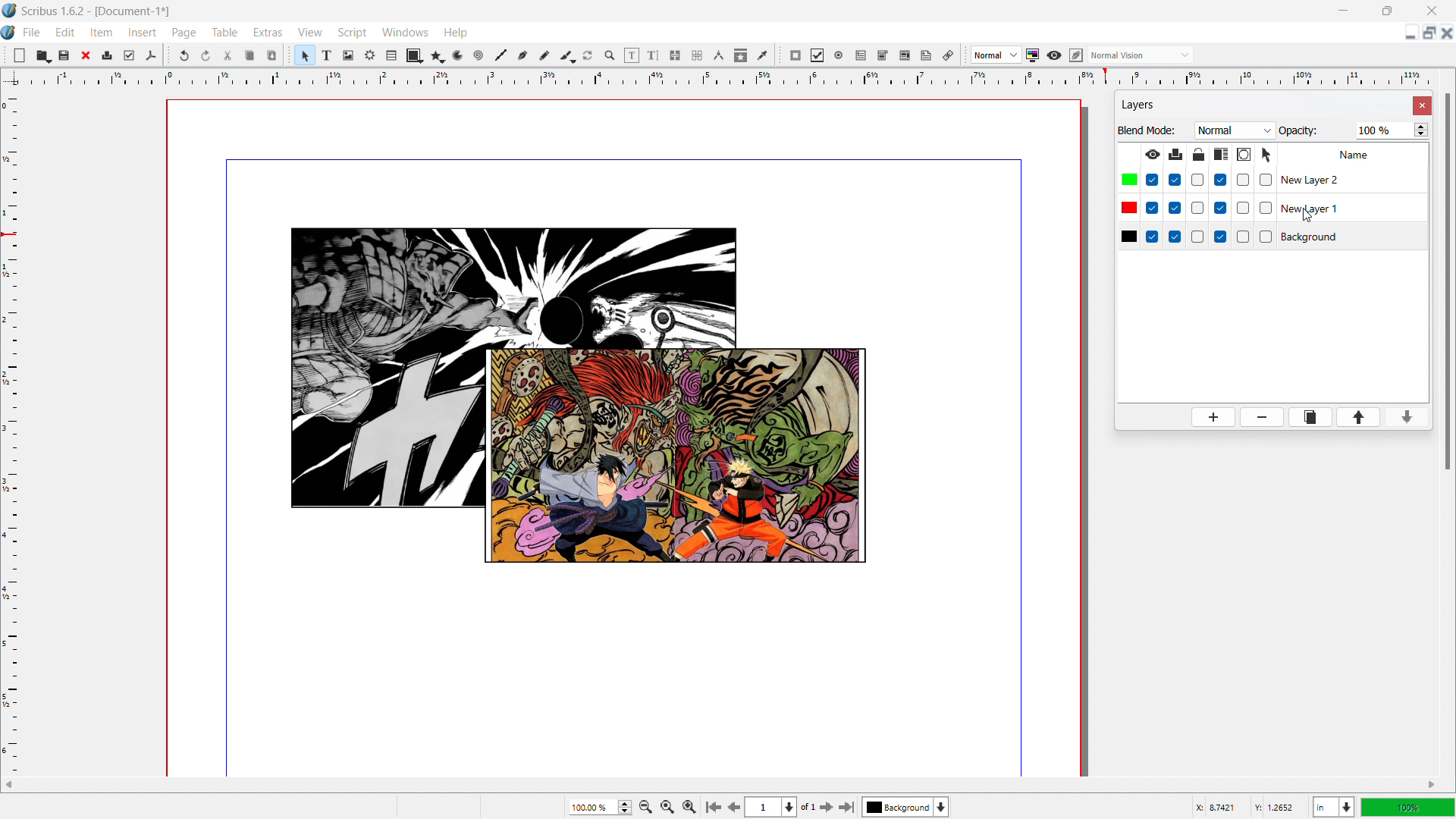 Image resolution: width=1456 pixels, height=819 pixels. Describe the element at coordinates (391, 55) in the screenshot. I see `table` at that location.